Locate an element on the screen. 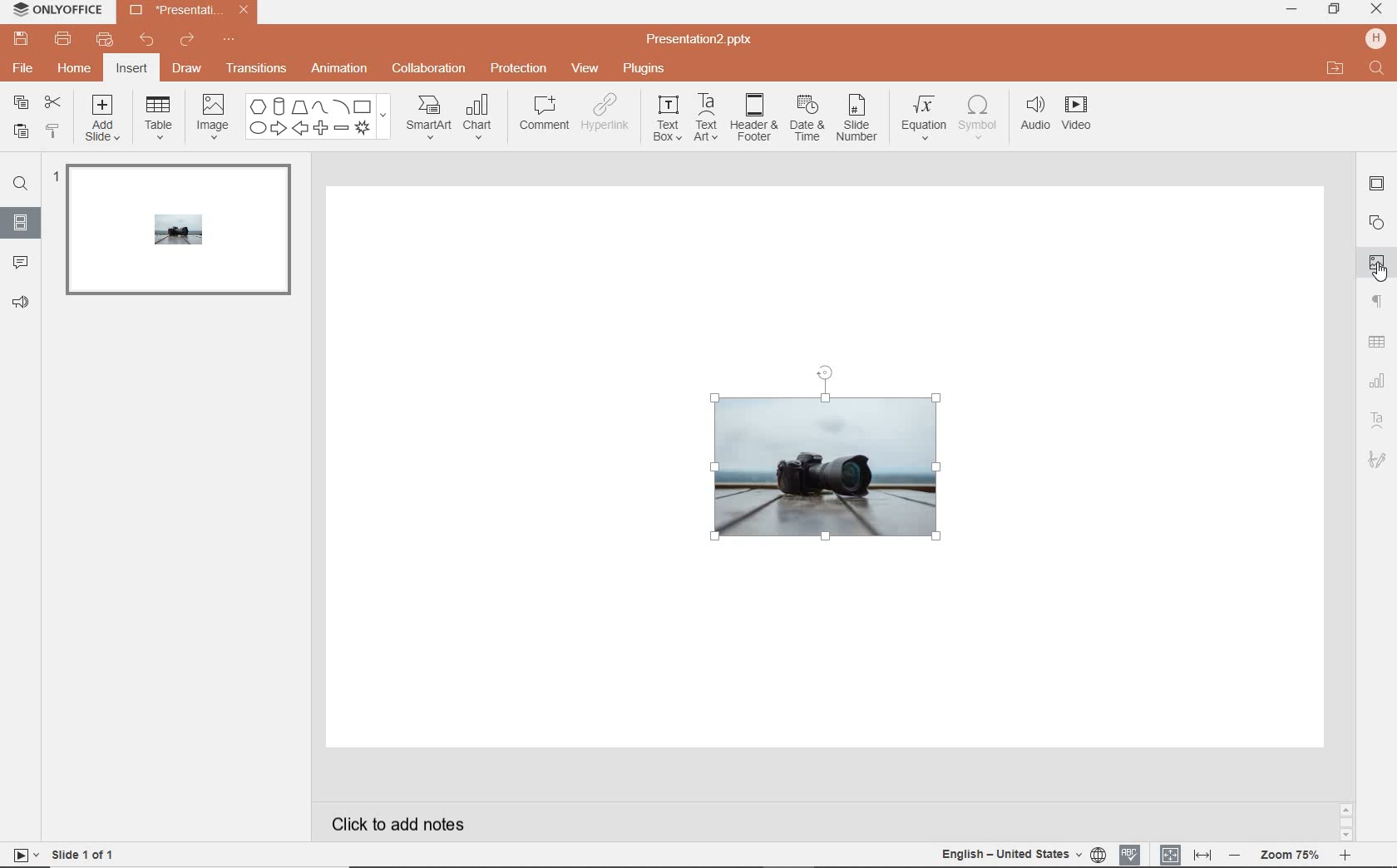 This screenshot has width=1397, height=868. add slide is located at coordinates (104, 118).